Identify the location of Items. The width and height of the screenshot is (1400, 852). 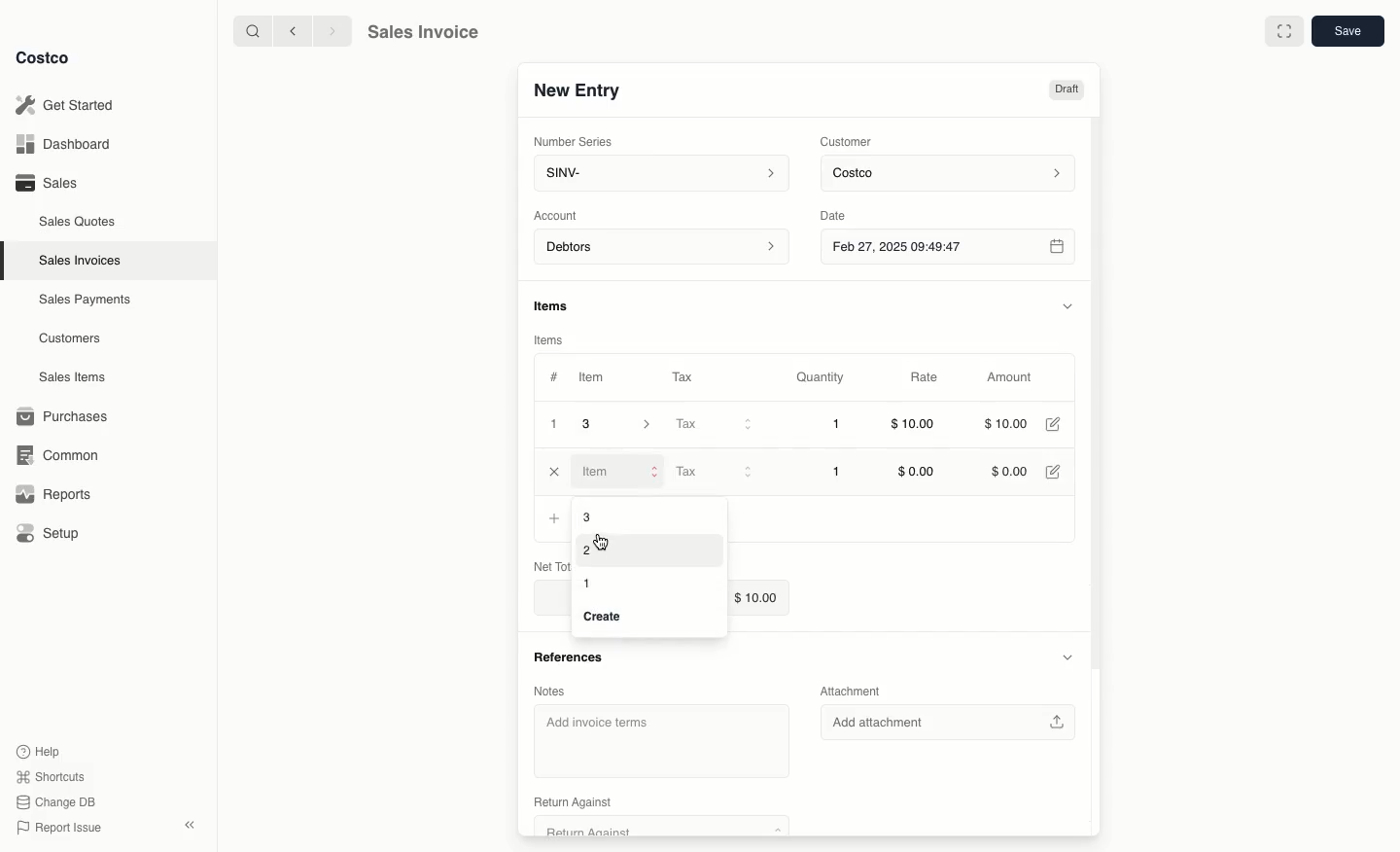
(552, 340).